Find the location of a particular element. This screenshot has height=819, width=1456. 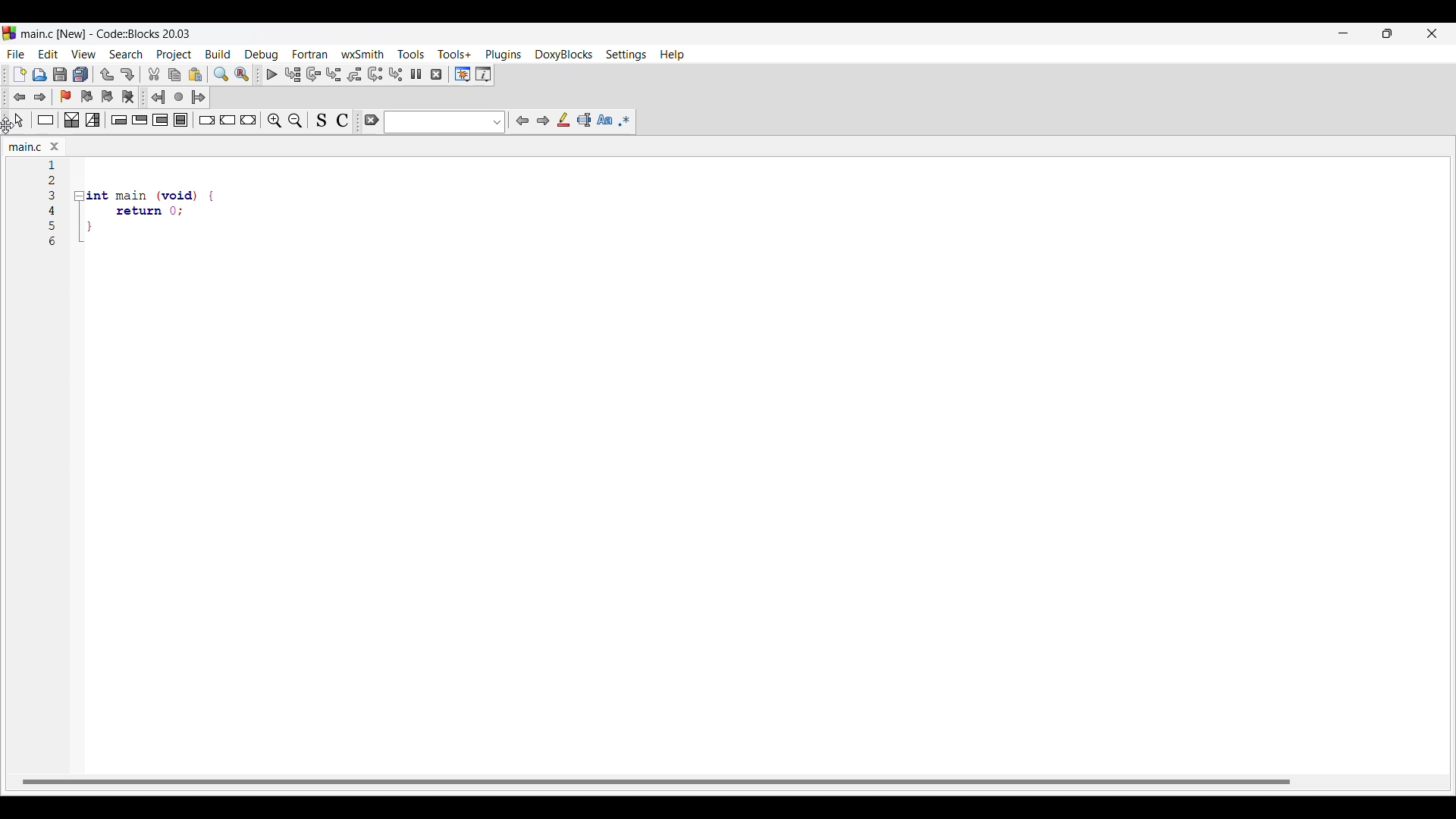

Zoom out is located at coordinates (296, 121).